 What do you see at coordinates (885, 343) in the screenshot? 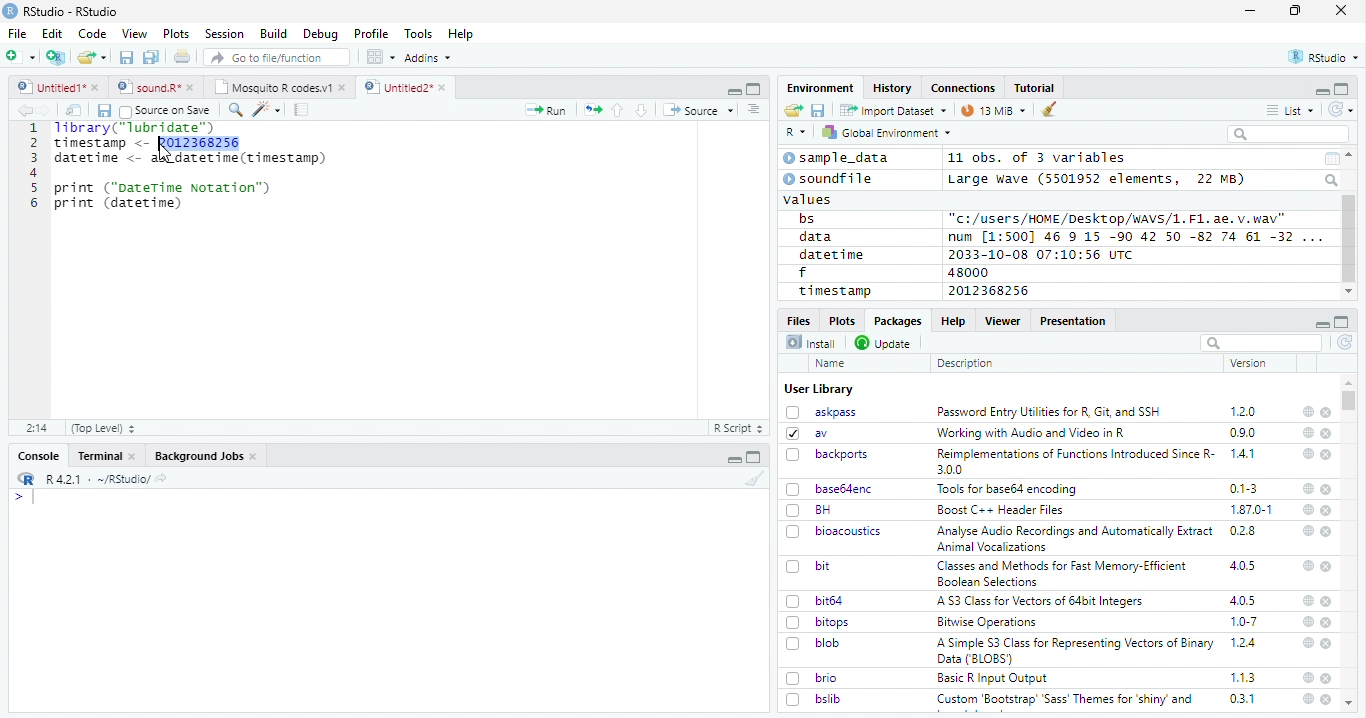
I see `Update` at bounding box center [885, 343].